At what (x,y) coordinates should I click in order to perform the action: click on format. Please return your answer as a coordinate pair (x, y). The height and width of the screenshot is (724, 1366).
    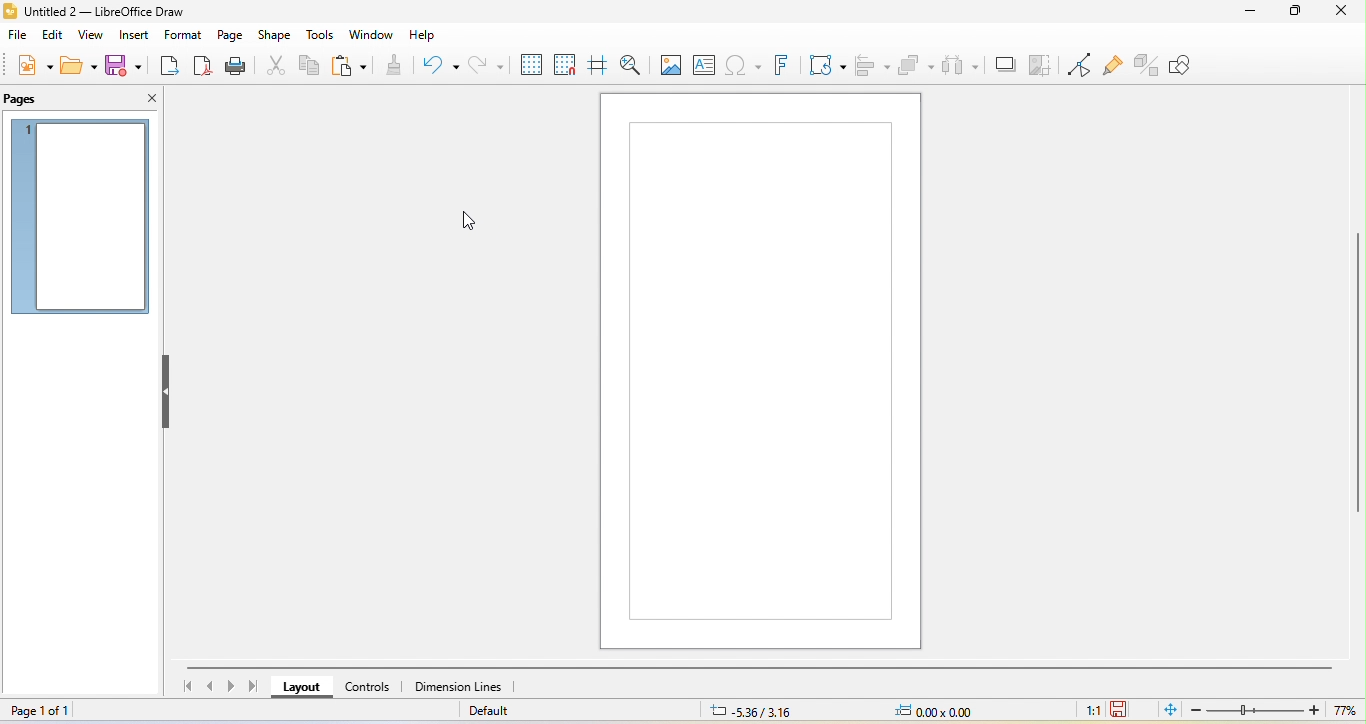
    Looking at the image, I should click on (180, 37).